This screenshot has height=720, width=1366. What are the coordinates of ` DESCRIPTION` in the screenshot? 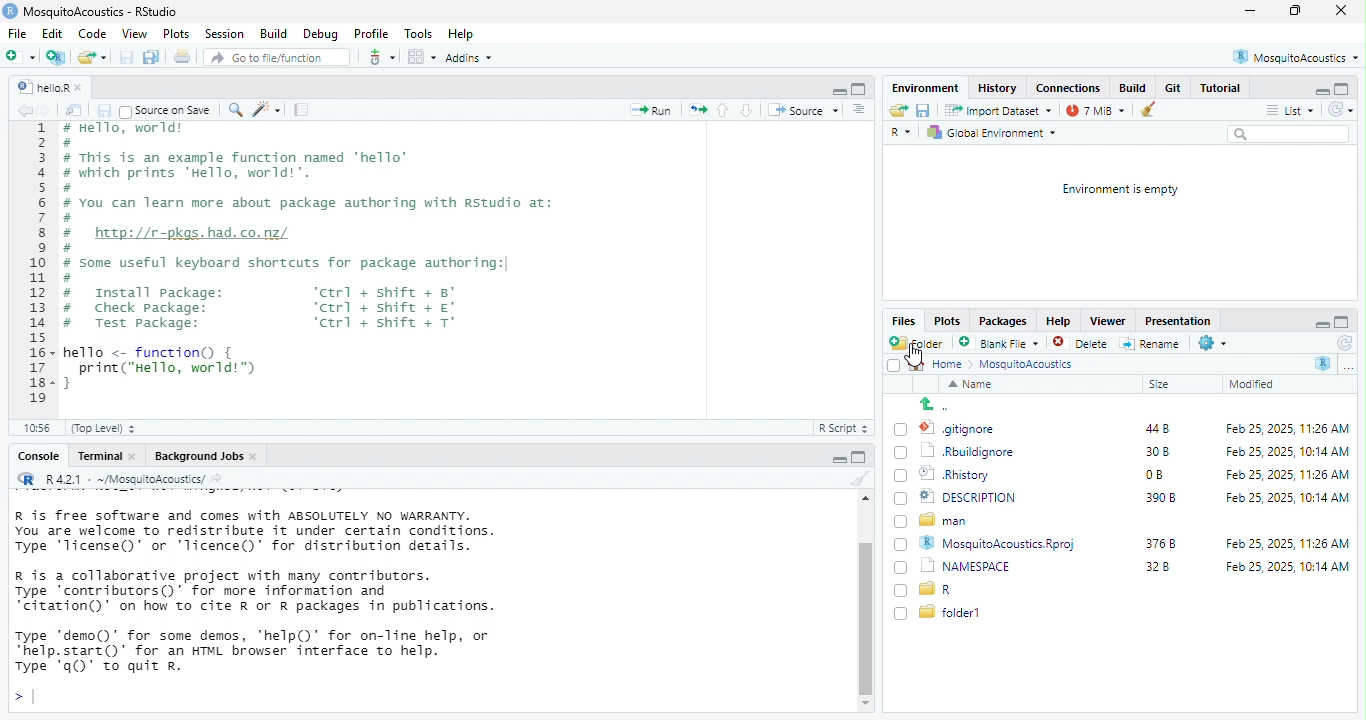 It's located at (983, 498).